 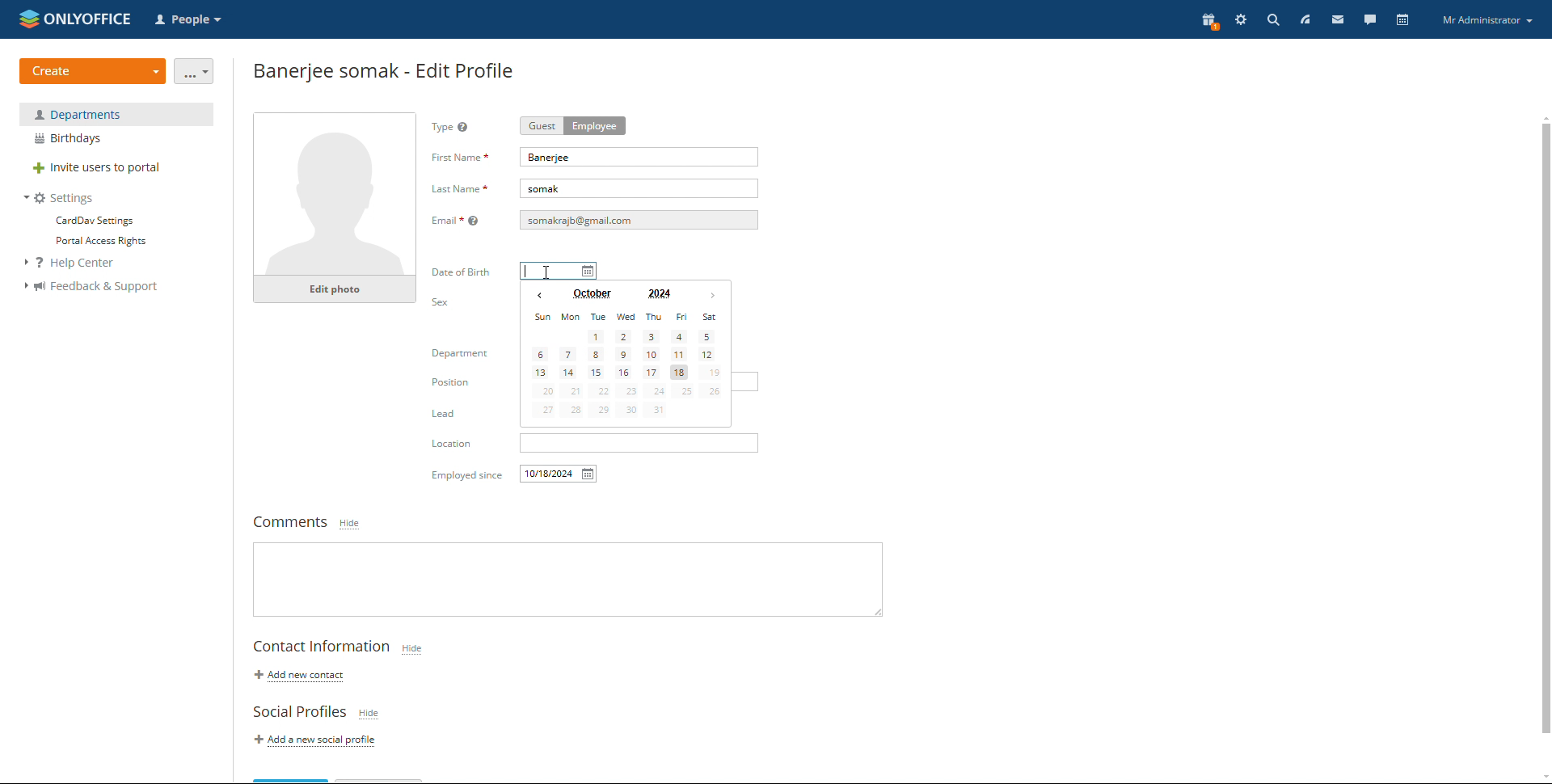 I want to click on resize, so click(x=876, y=611).